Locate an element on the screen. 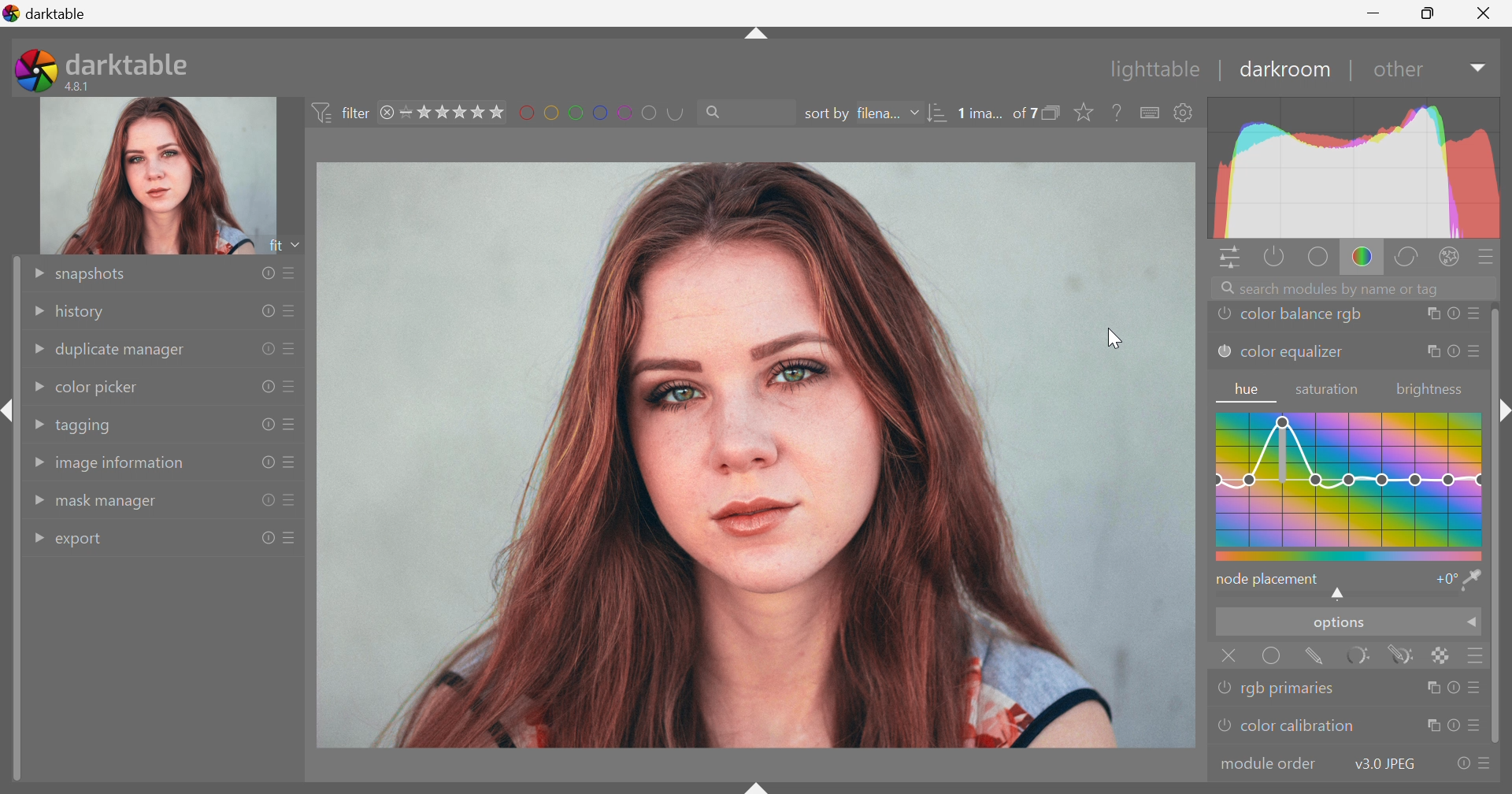 The image size is (1512, 794). multiple instance actions is located at coordinates (1429, 688).